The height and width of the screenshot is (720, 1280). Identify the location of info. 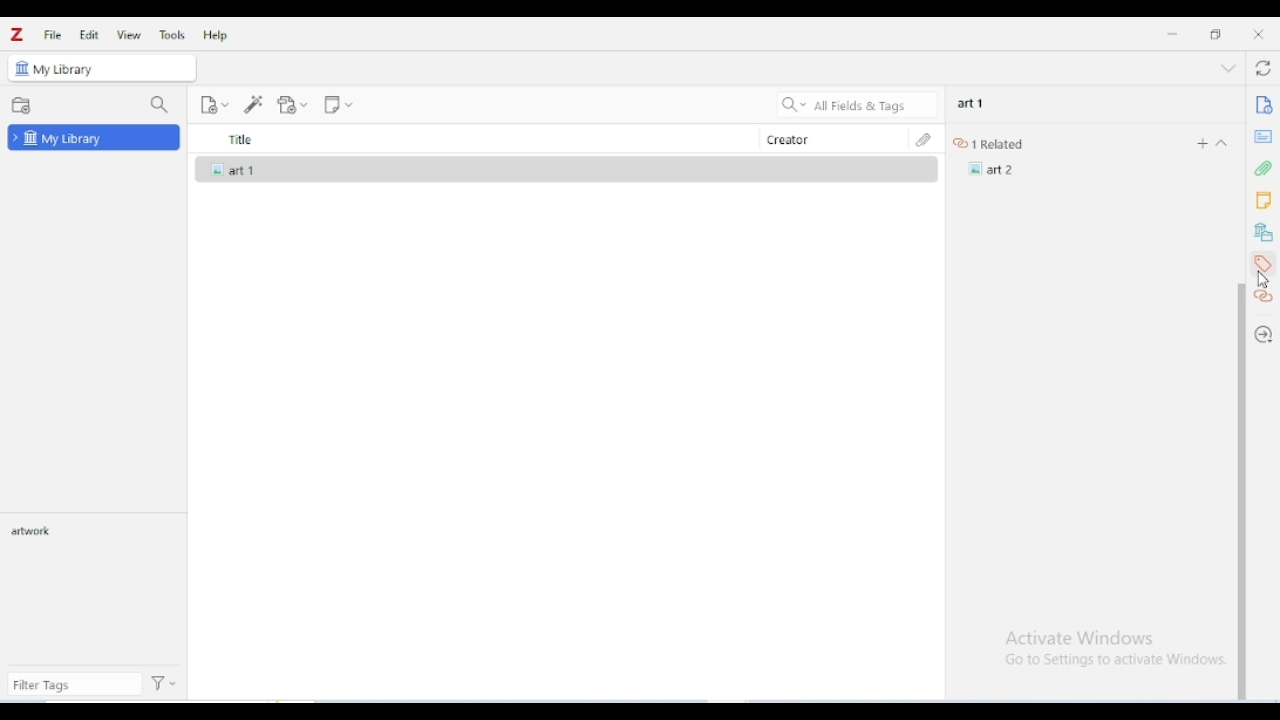
(1263, 104).